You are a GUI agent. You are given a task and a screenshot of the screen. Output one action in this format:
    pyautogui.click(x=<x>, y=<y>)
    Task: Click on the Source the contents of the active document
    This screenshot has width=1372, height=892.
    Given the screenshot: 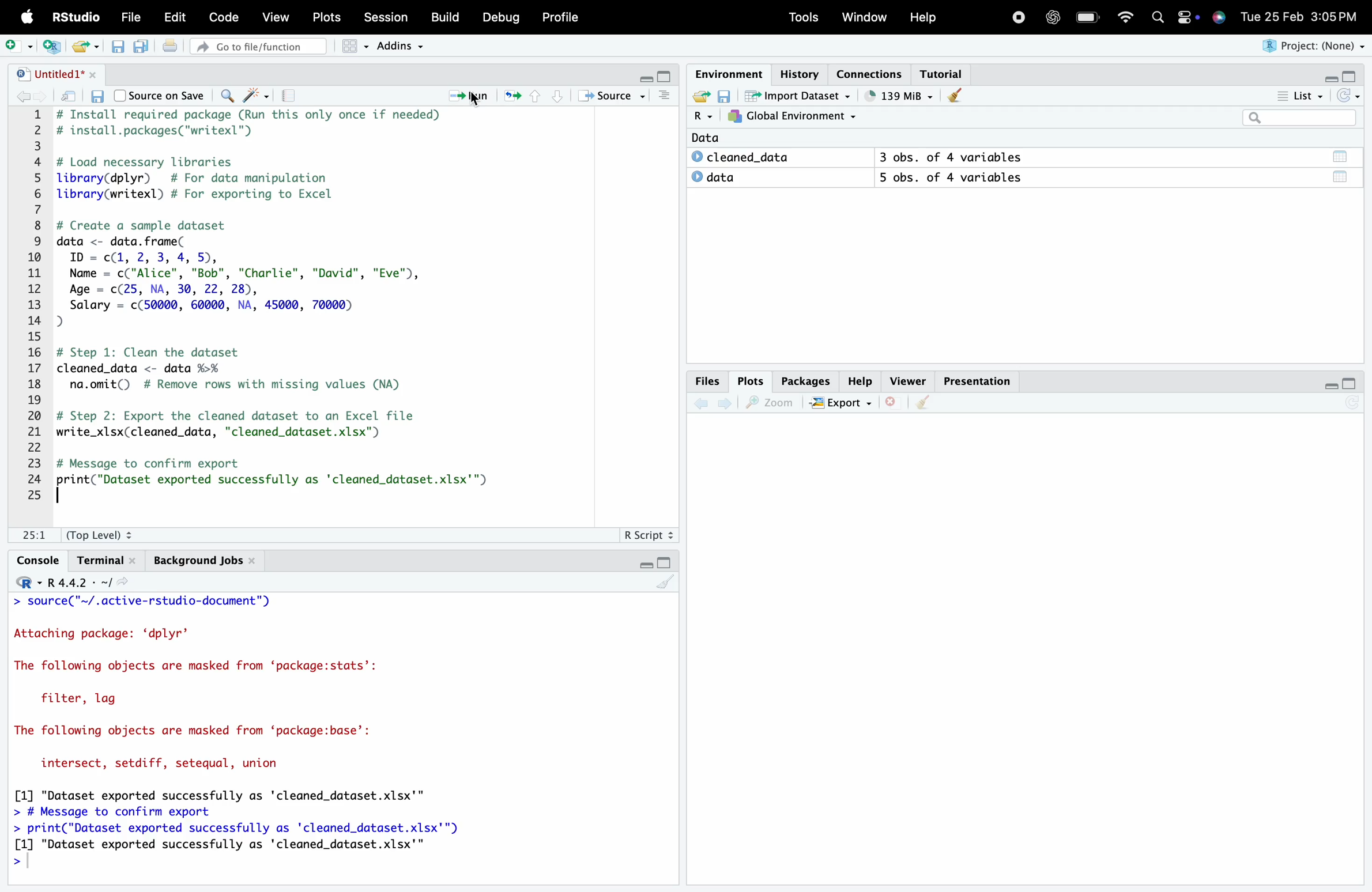 What is the action you would take?
    pyautogui.click(x=609, y=96)
    